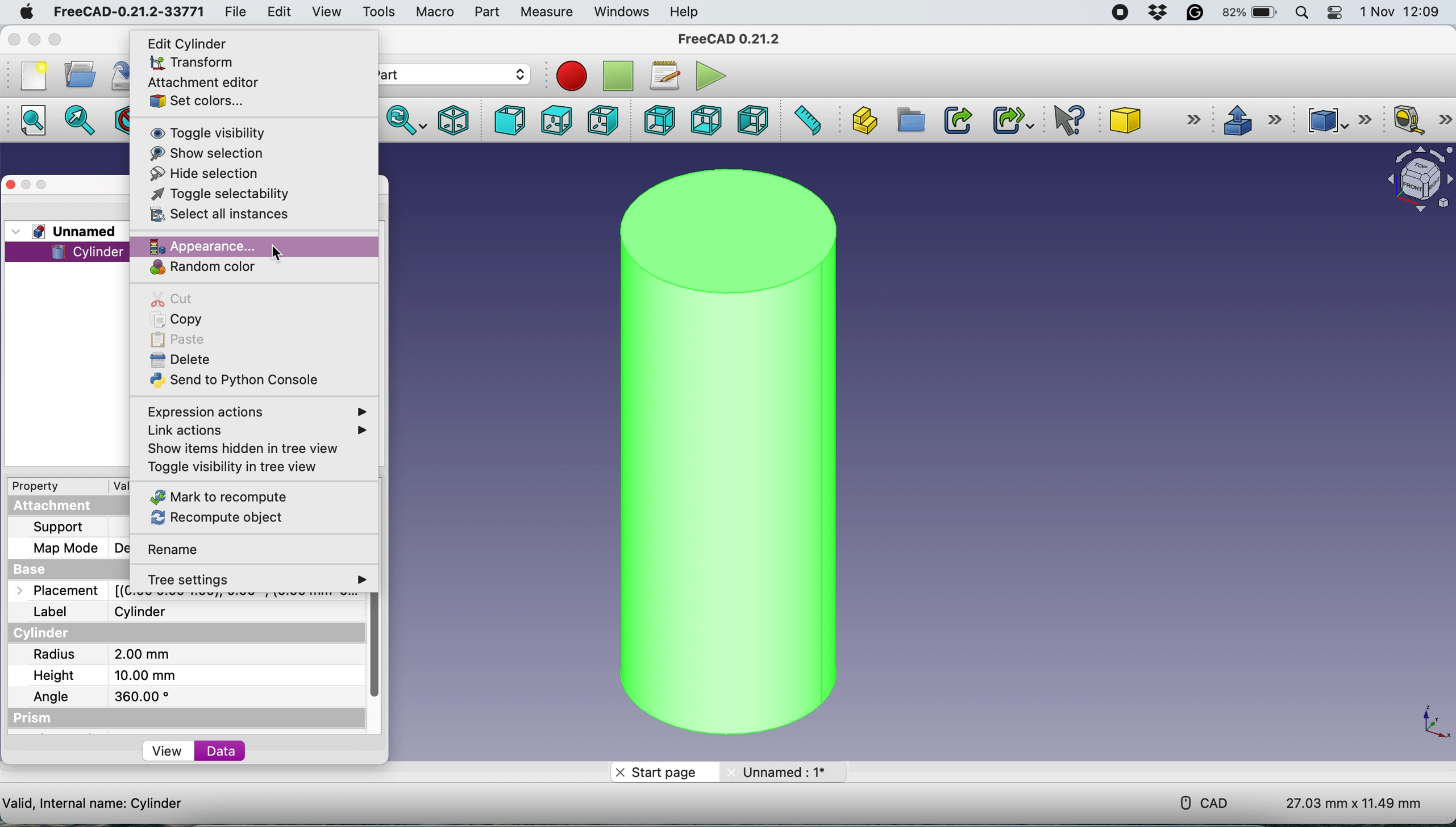  I want to click on sync view, so click(403, 120).